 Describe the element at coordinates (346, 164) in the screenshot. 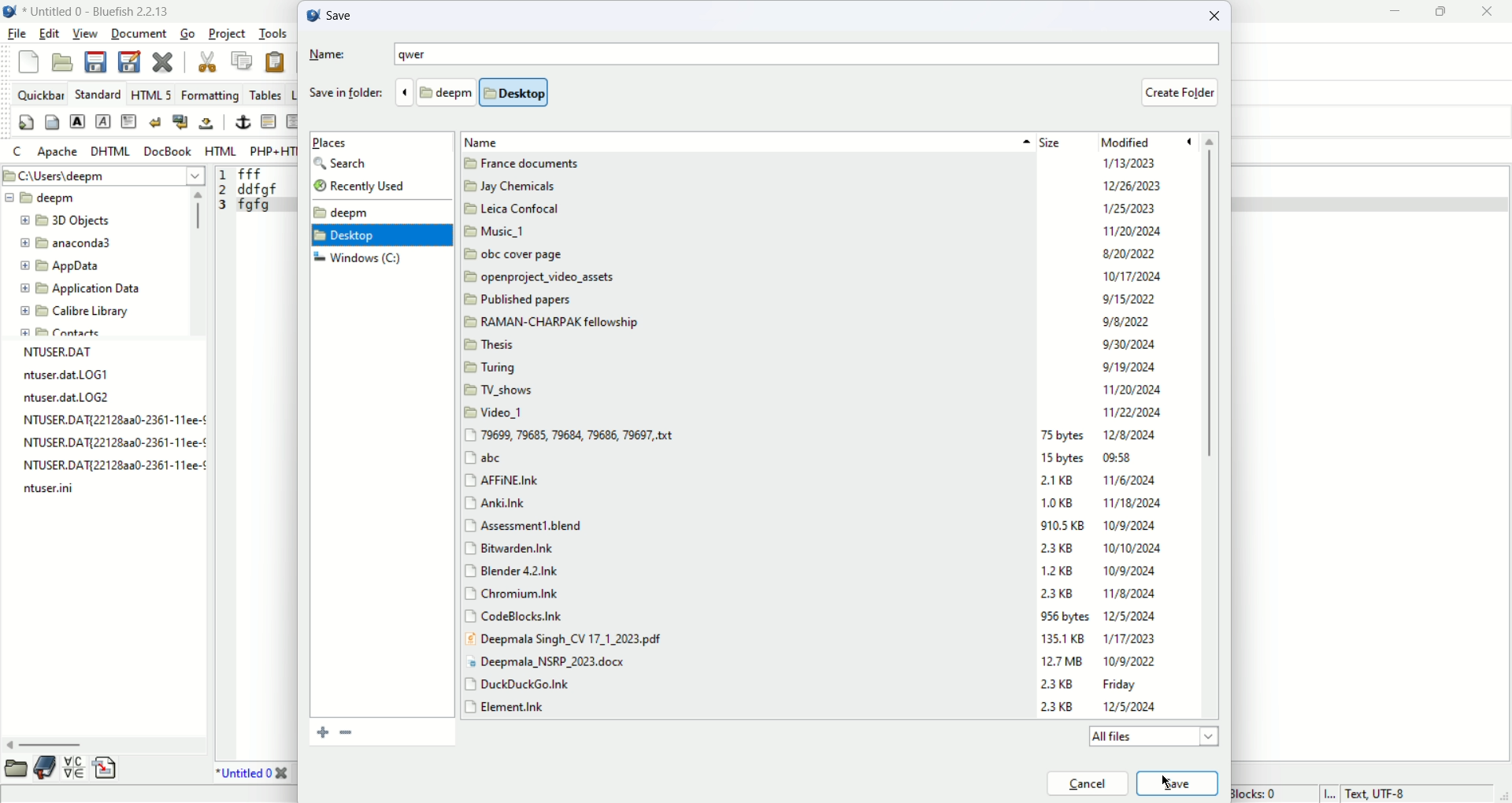

I see `search` at that location.